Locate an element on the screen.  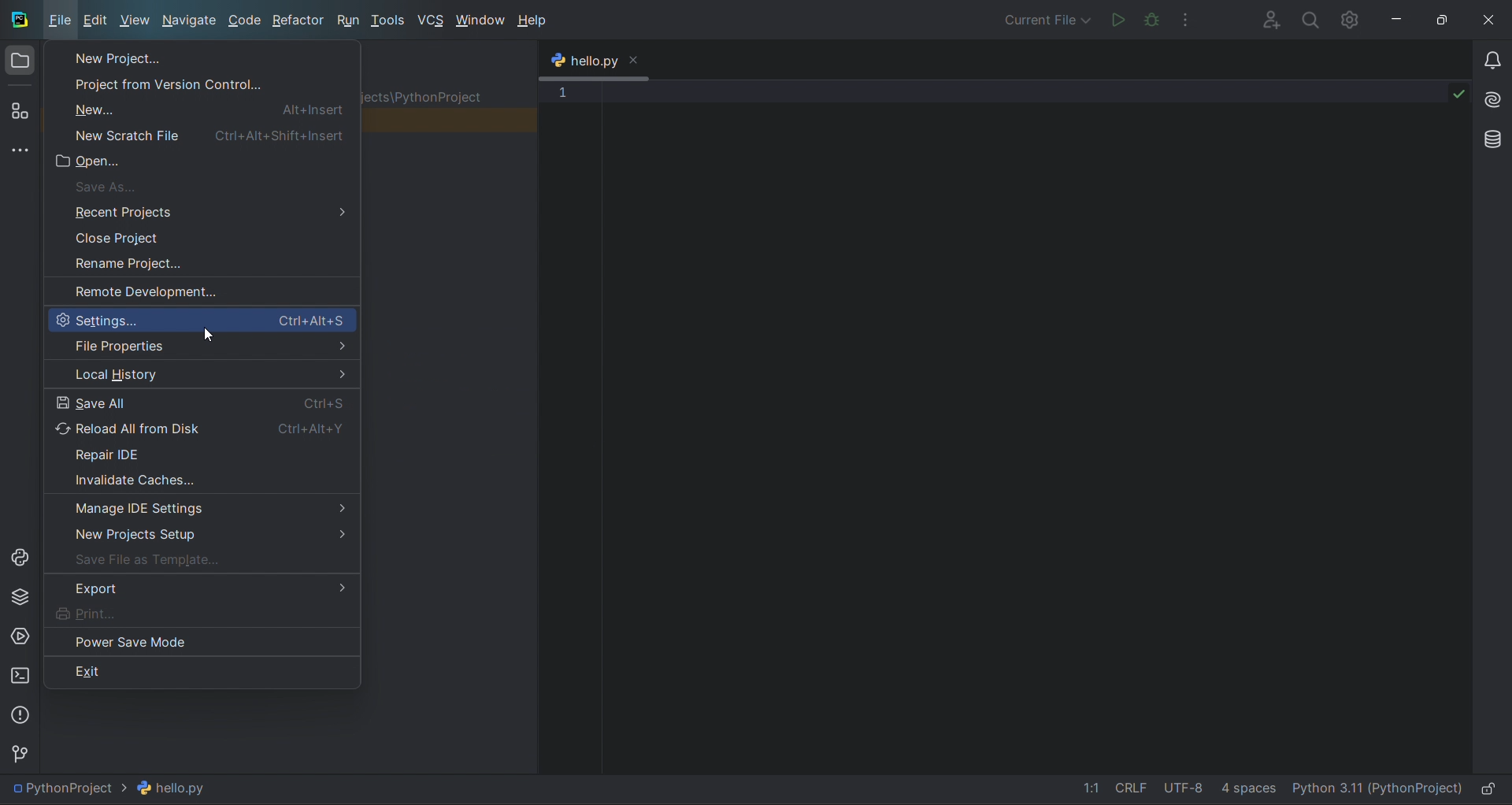
local history is located at coordinates (200, 371).